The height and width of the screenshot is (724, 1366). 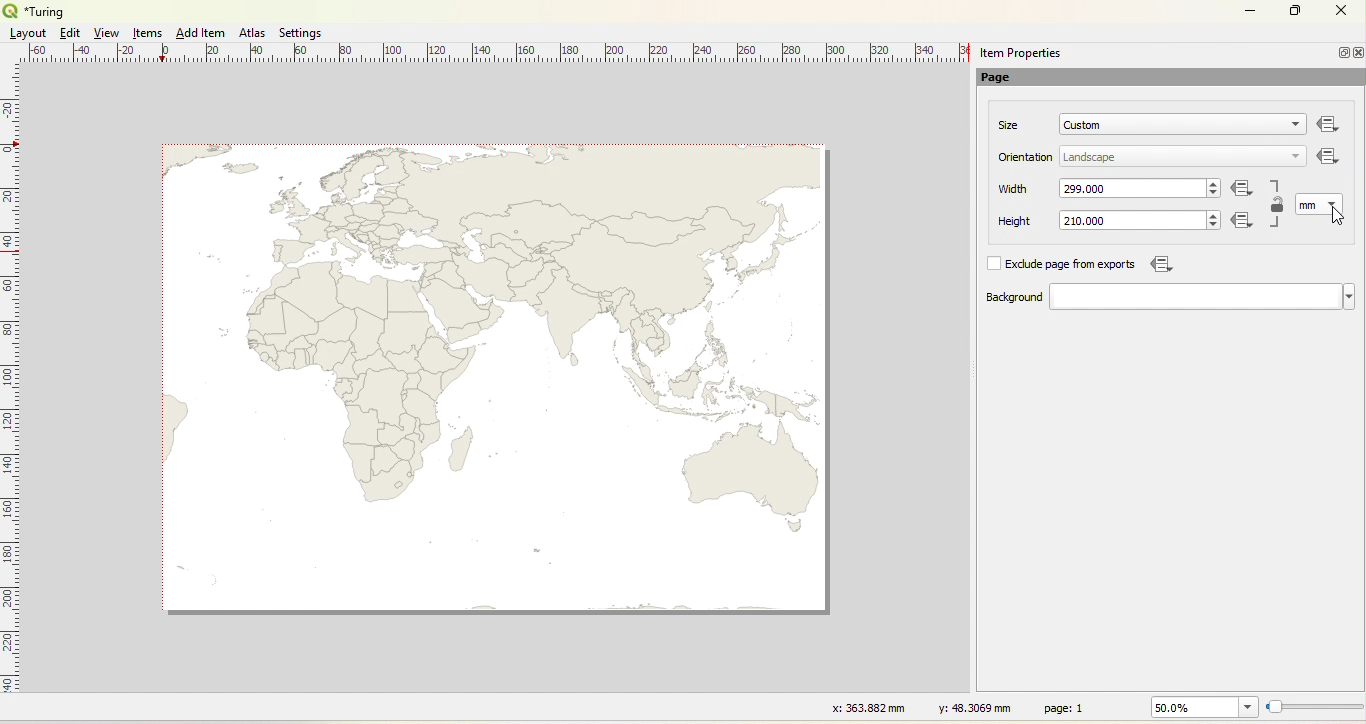 I want to click on close, so click(x=1357, y=53).